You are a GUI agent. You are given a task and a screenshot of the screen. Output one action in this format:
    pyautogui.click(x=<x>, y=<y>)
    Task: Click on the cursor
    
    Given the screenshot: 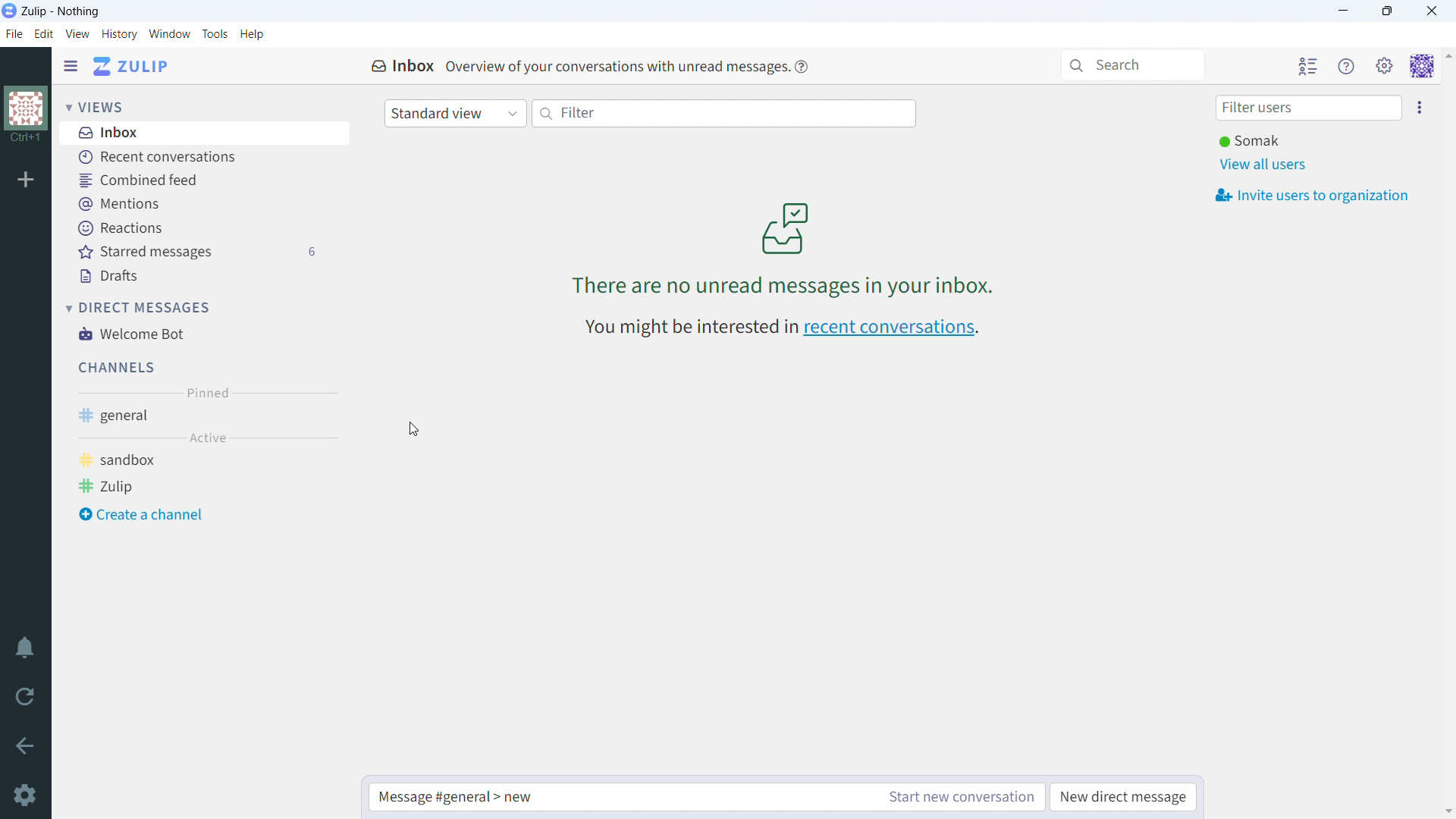 What is the action you would take?
    pyautogui.click(x=413, y=429)
    